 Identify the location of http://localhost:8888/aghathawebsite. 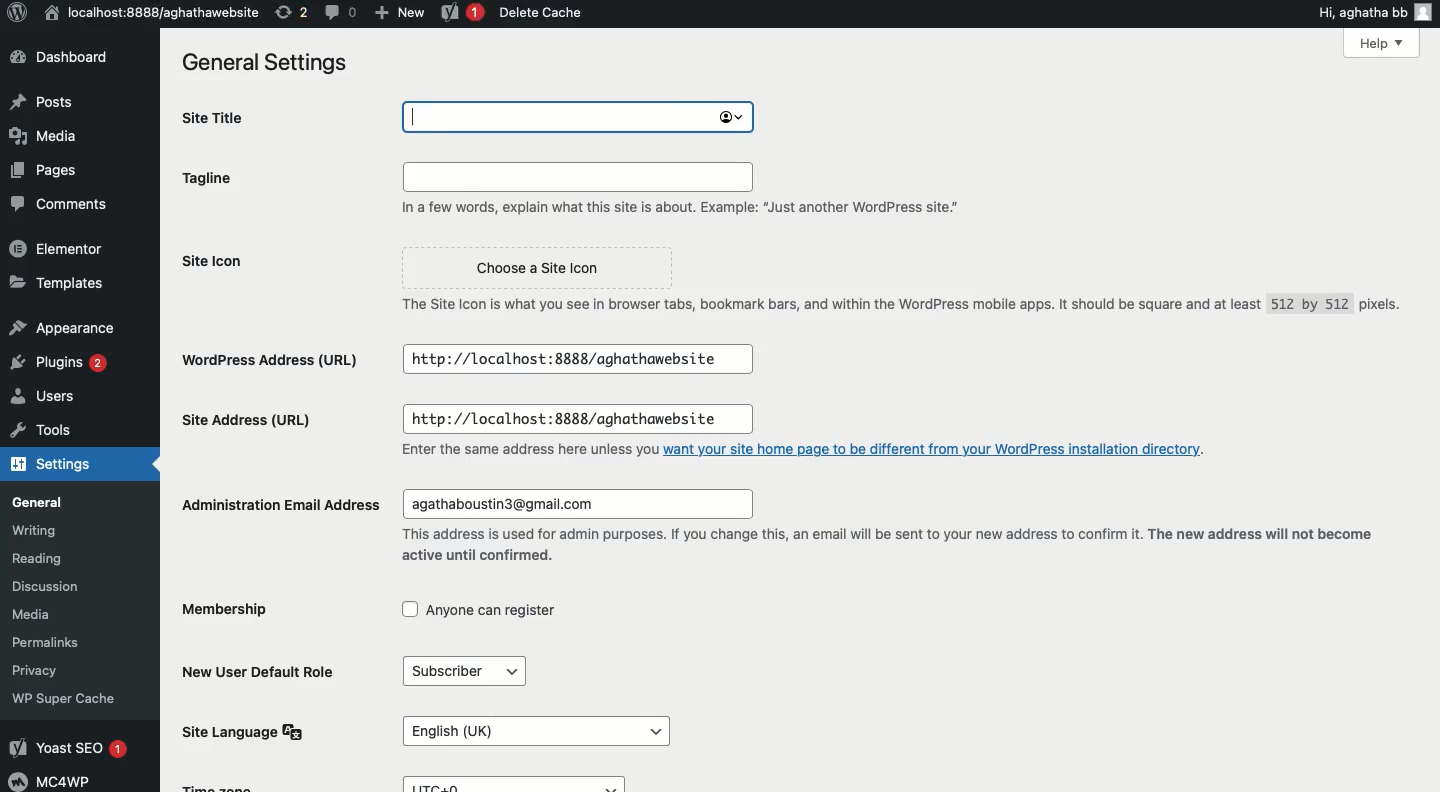
(579, 419).